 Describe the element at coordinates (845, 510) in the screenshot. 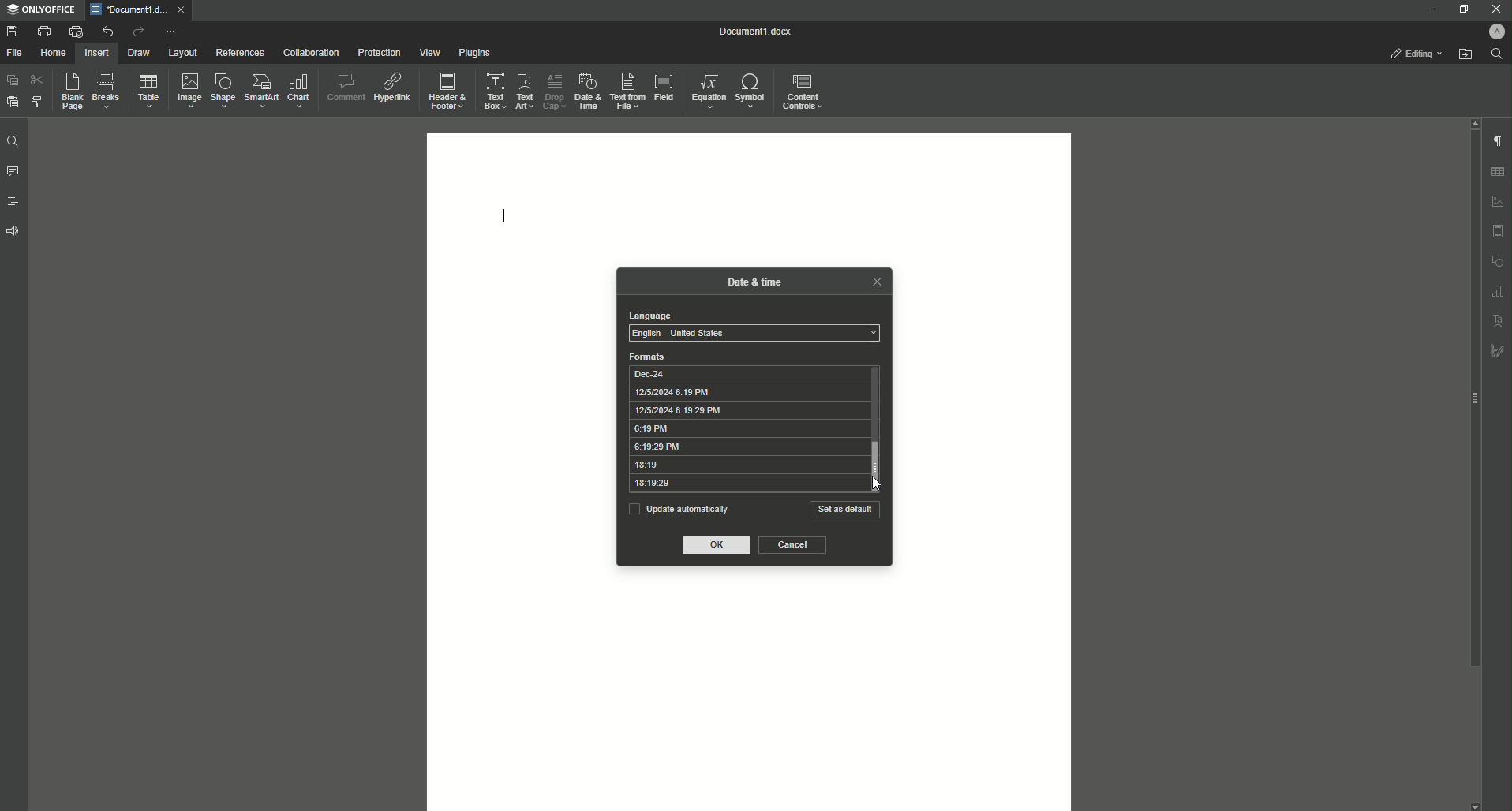

I see `Set as default` at that location.